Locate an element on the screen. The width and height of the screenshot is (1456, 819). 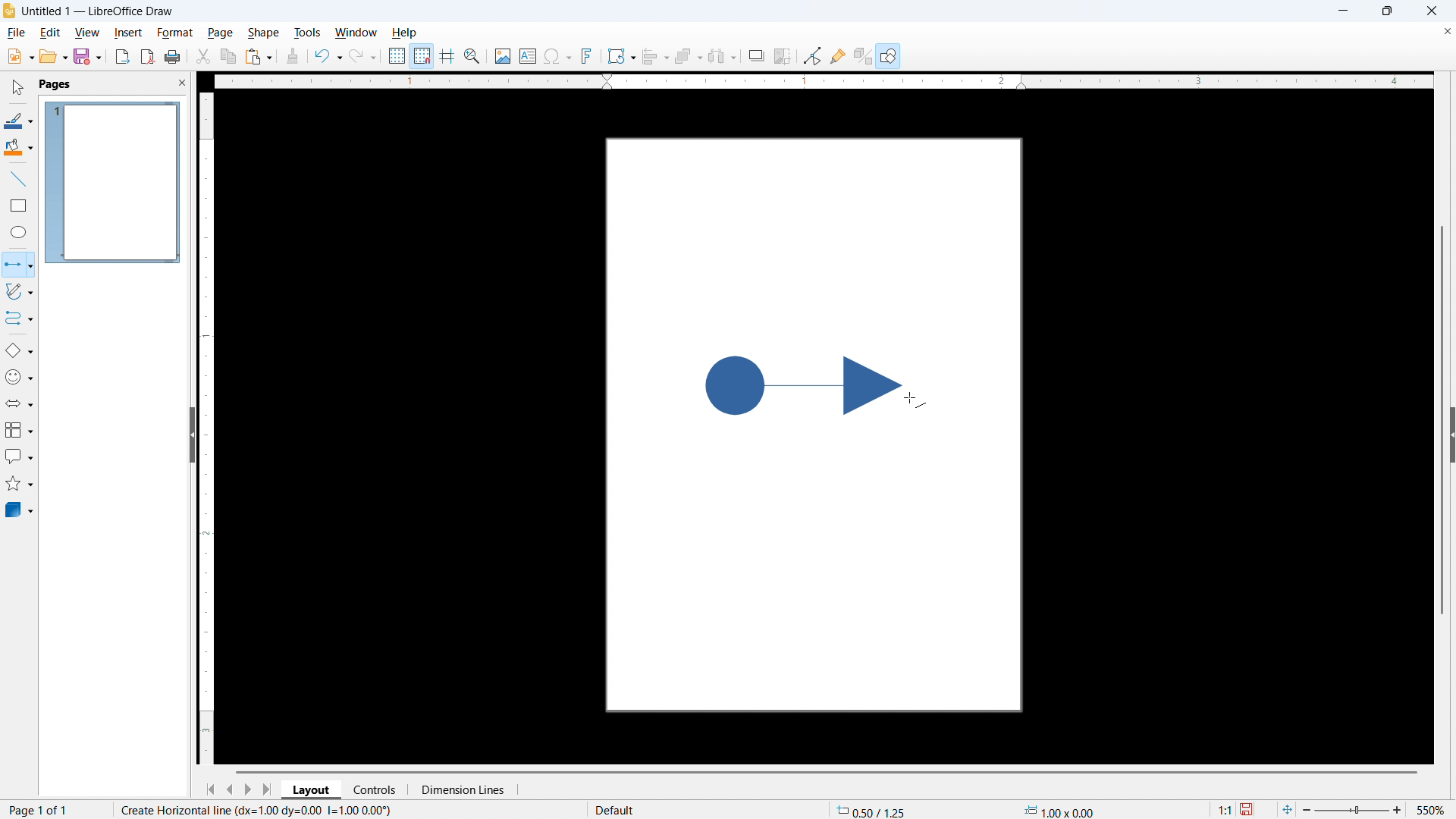
Logo  is located at coordinates (10, 11).